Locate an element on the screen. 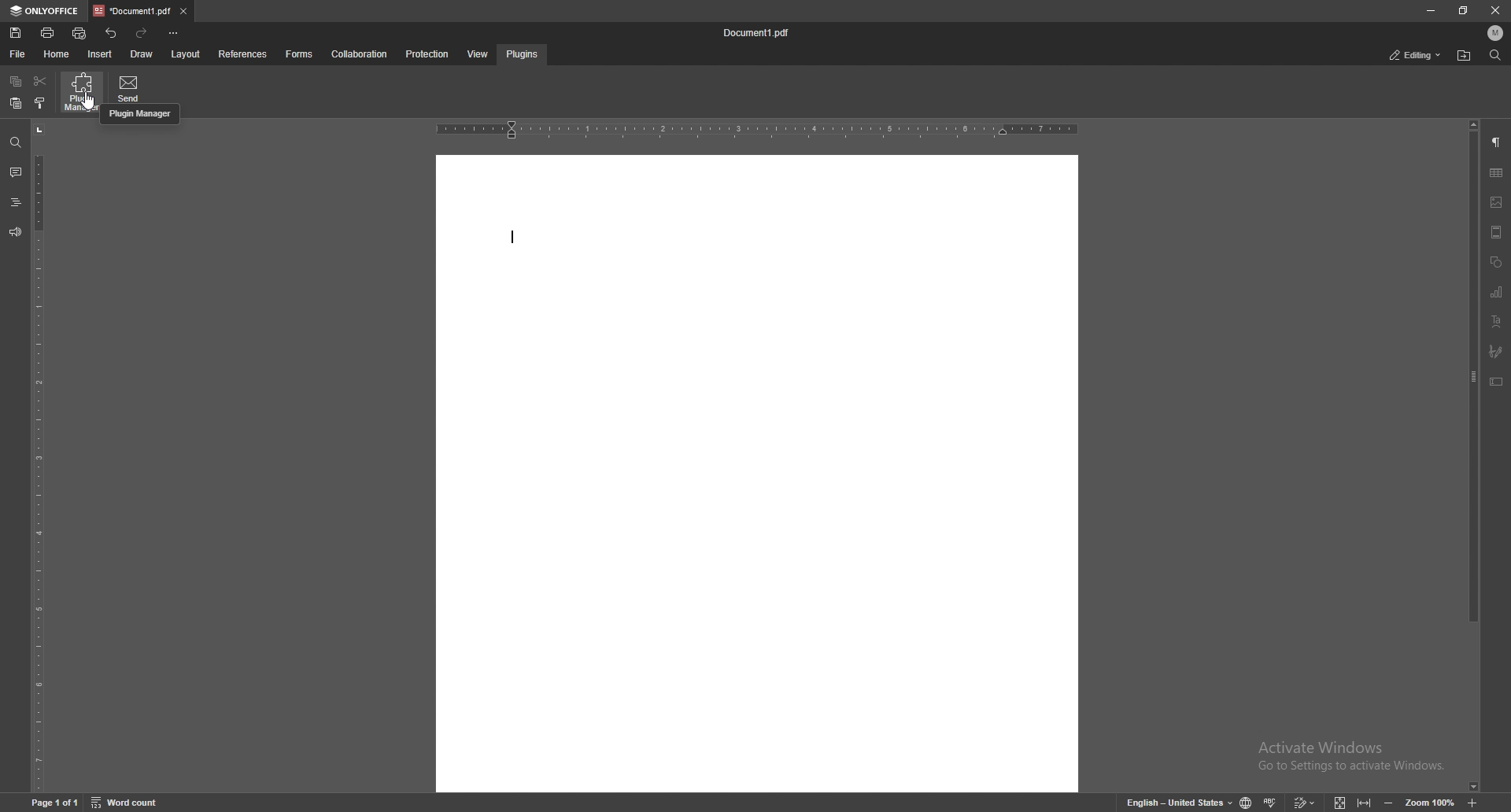  print is located at coordinates (49, 33).